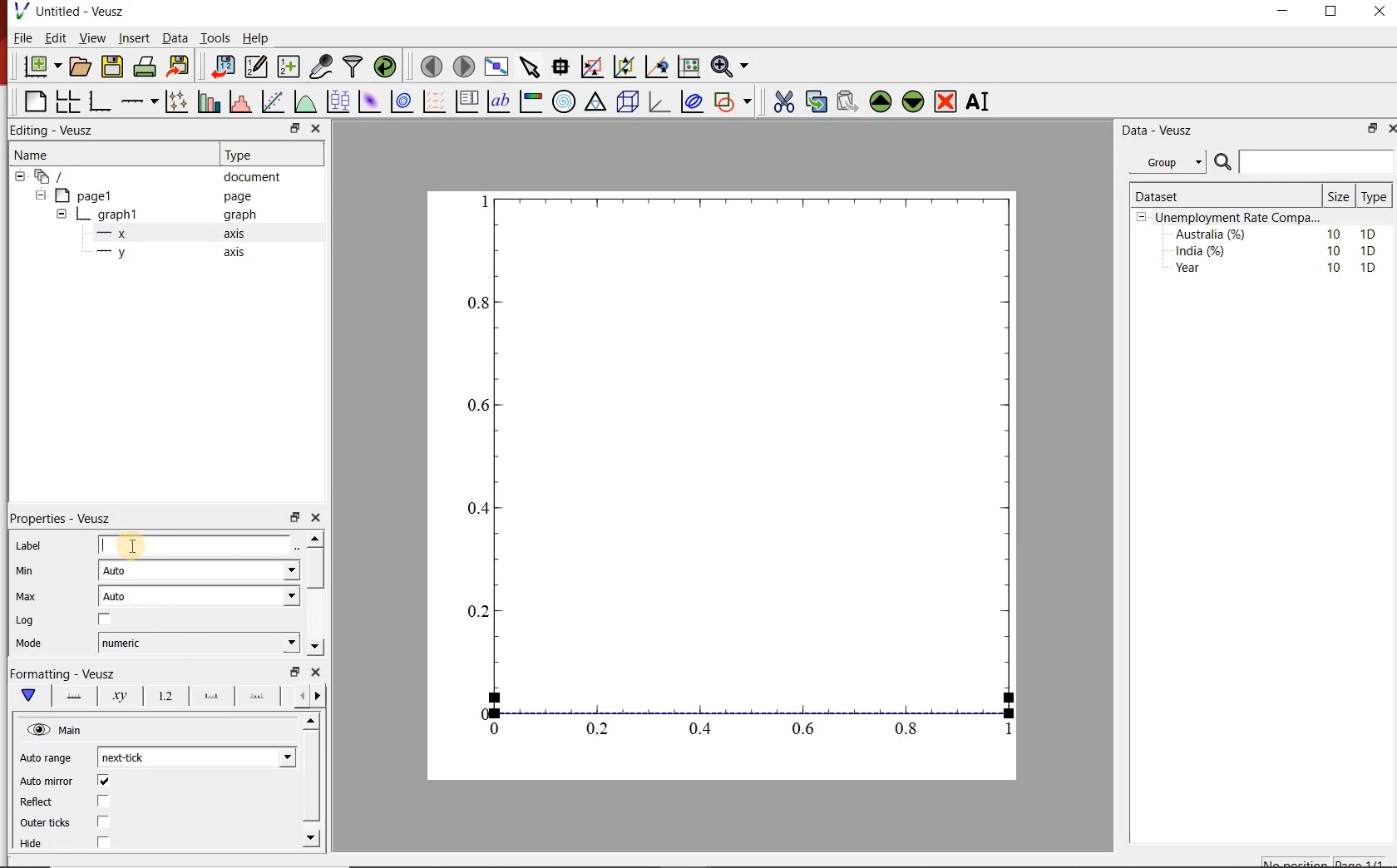  What do you see at coordinates (625, 65) in the screenshot?
I see `click to zoom out graph axes` at bounding box center [625, 65].